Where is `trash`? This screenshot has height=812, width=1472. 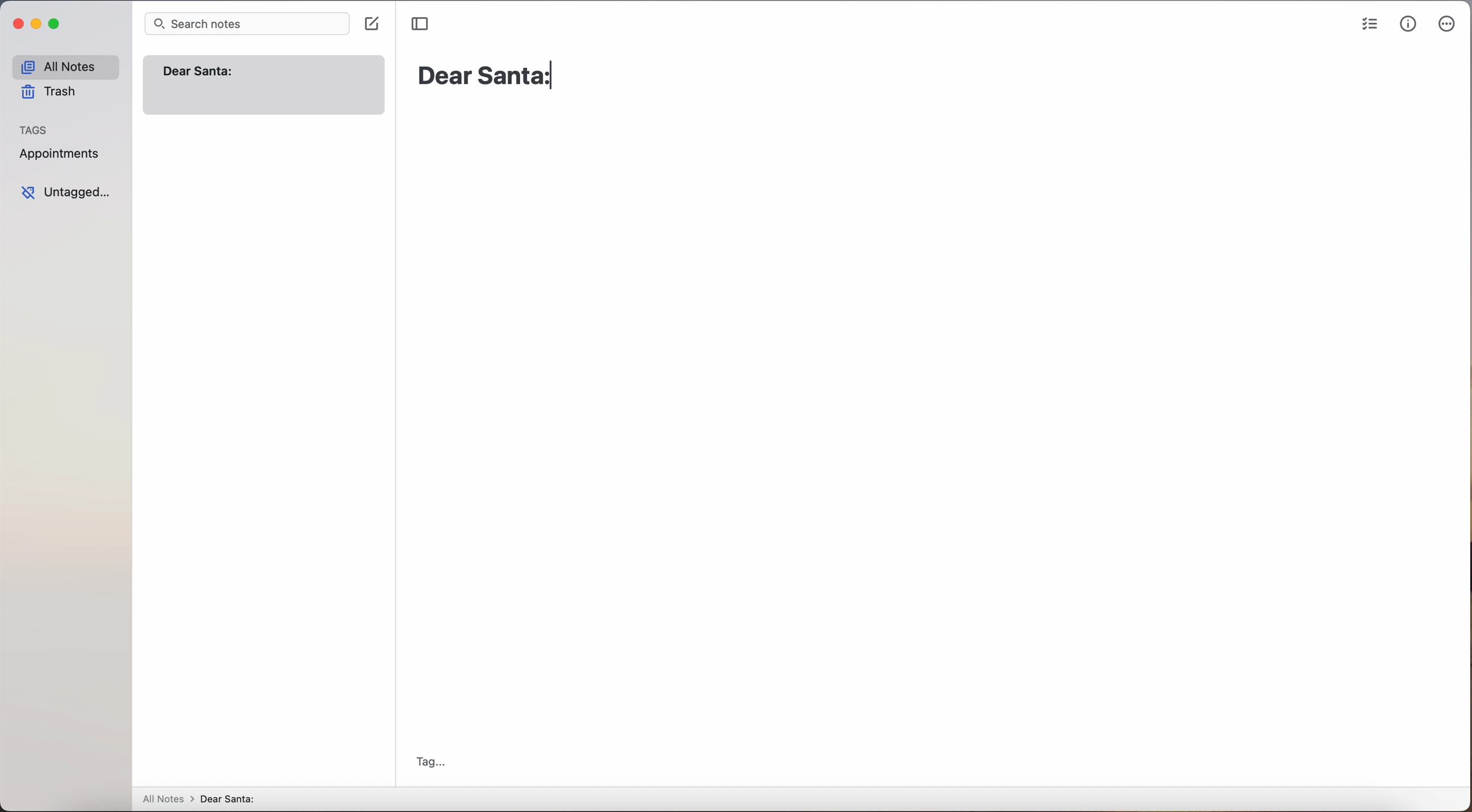
trash is located at coordinates (54, 91).